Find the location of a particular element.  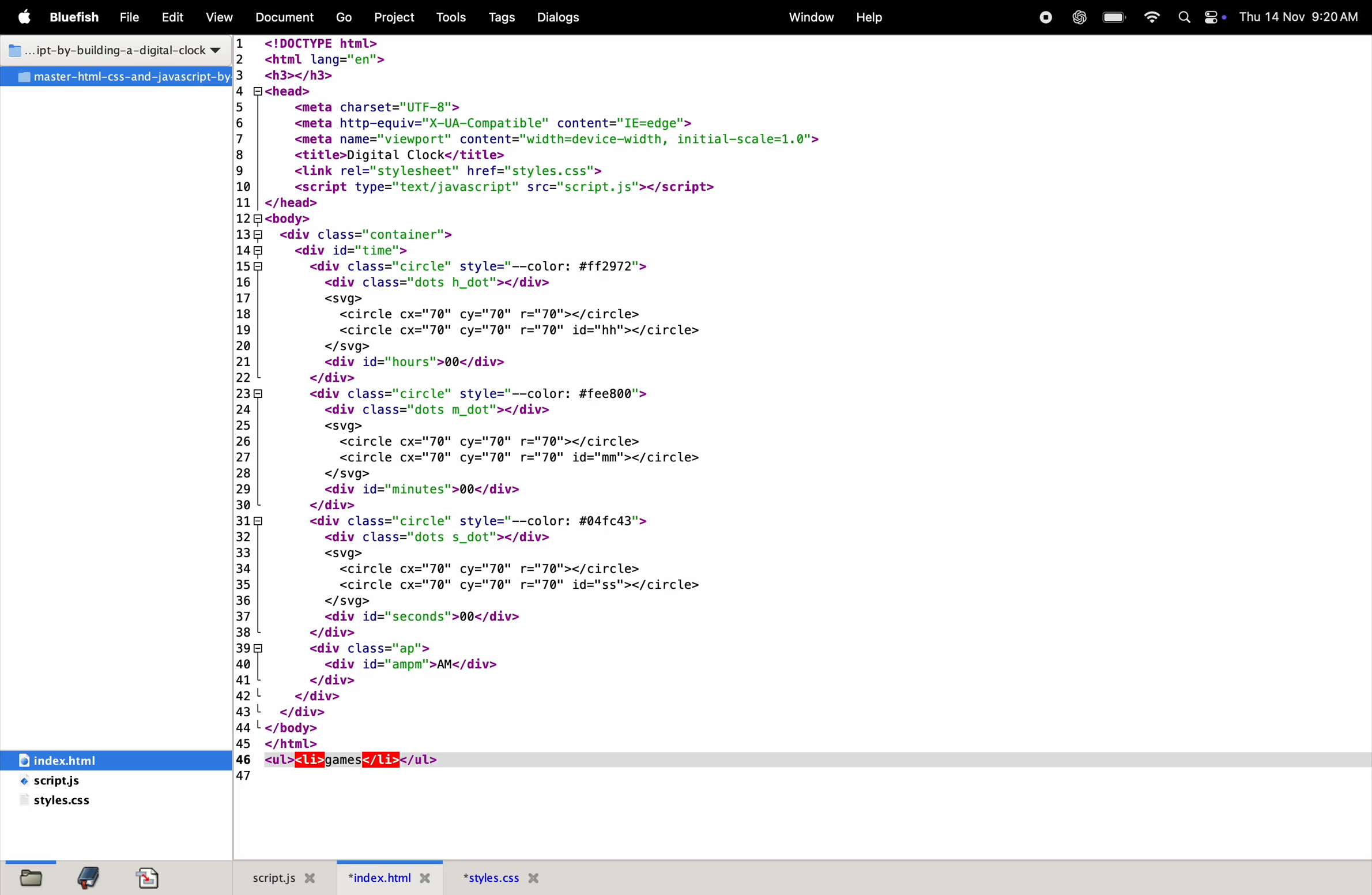

Chatgpt is located at coordinates (1076, 18).